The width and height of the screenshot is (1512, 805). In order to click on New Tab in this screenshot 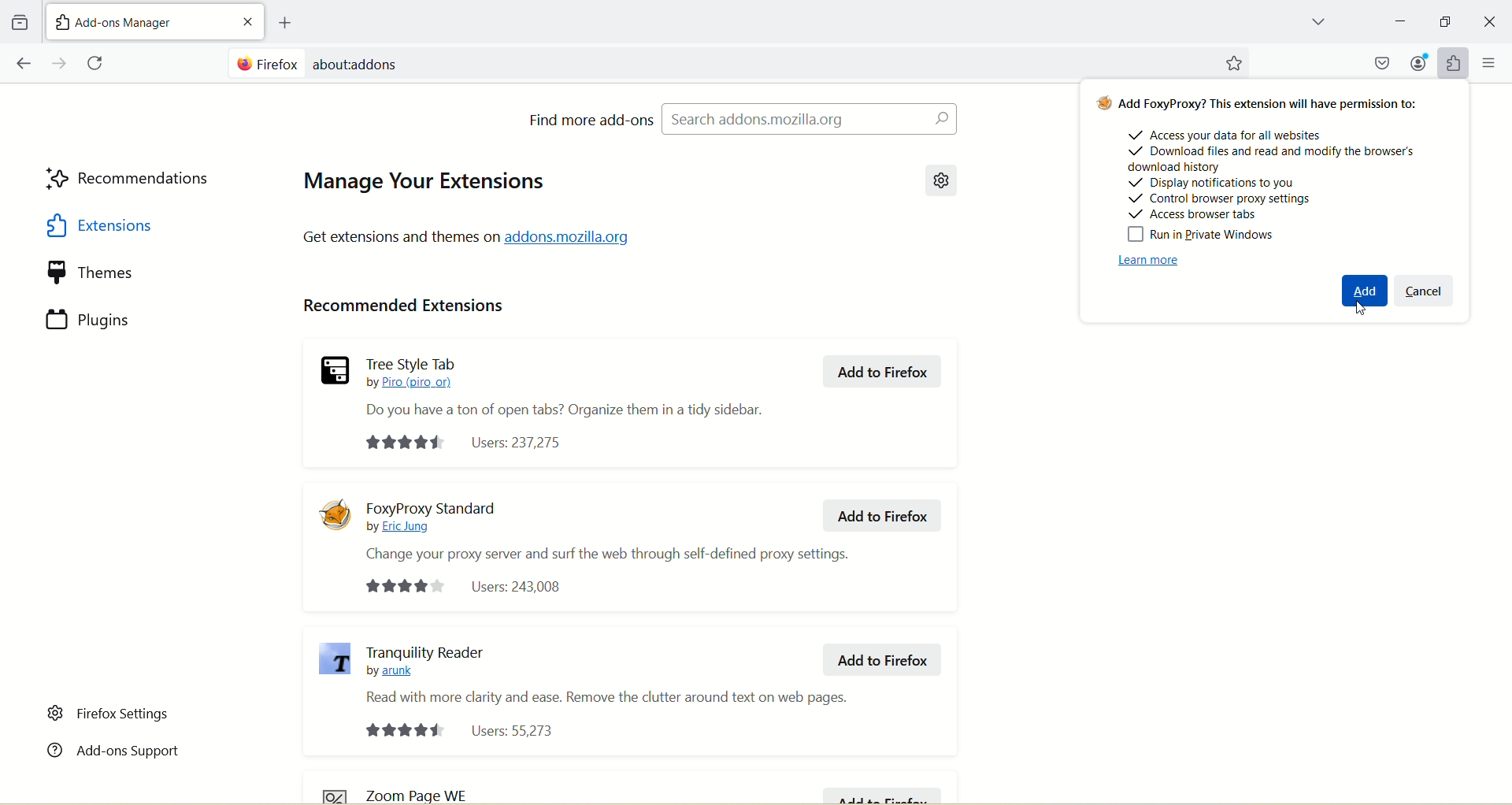, I will do `click(138, 20)`.